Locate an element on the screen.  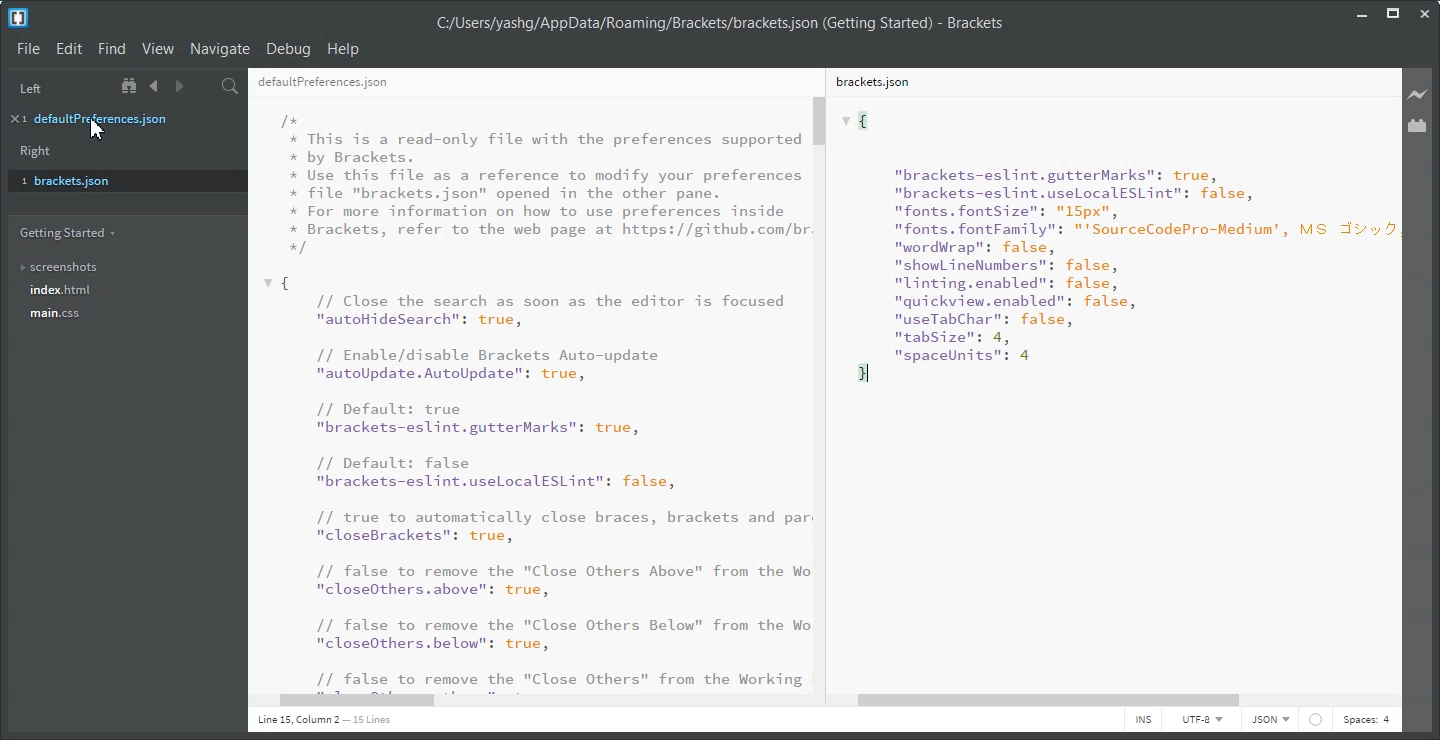
Minimize is located at coordinates (1363, 12).